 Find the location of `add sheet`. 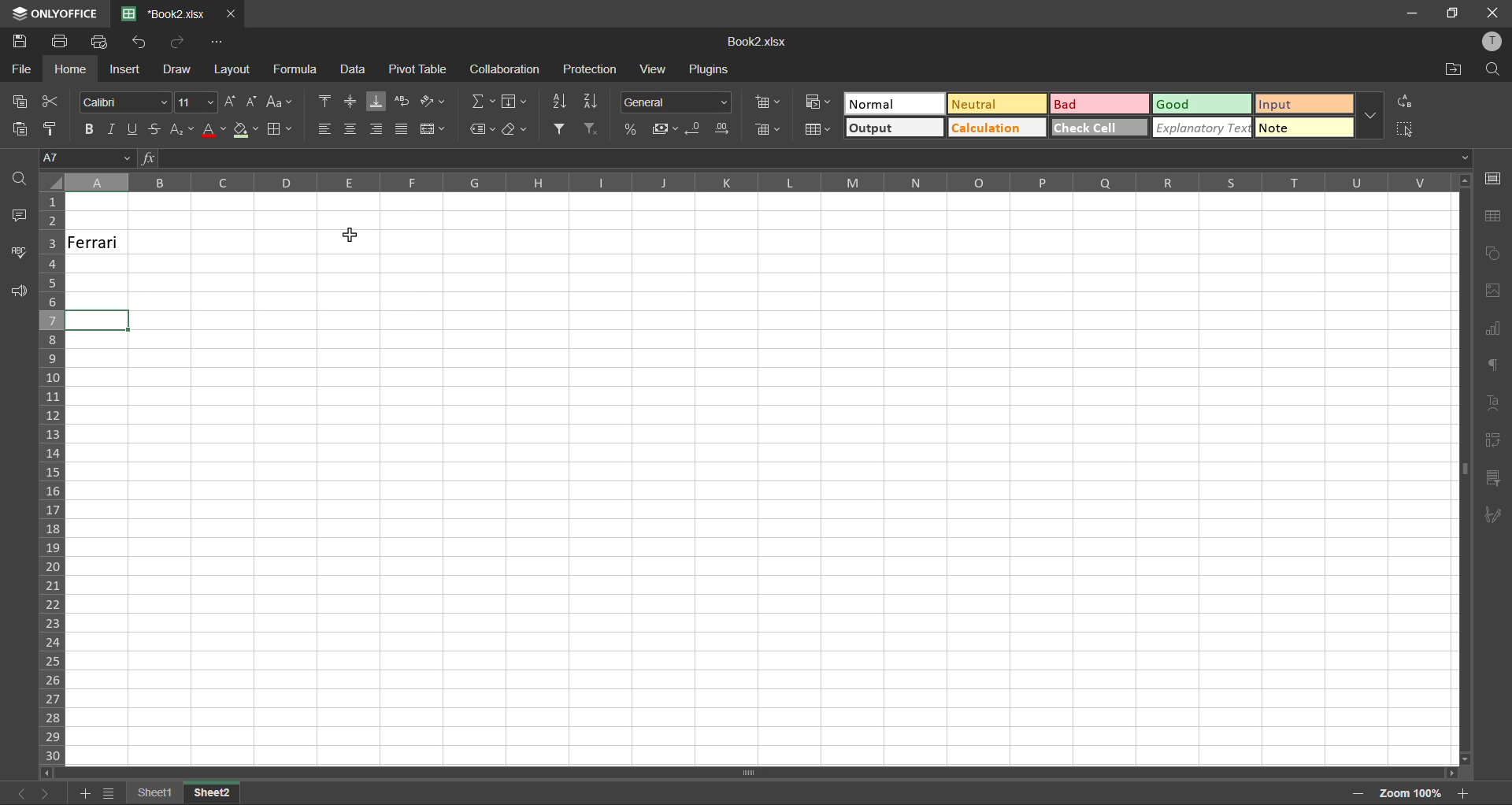

add sheet is located at coordinates (86, 793).